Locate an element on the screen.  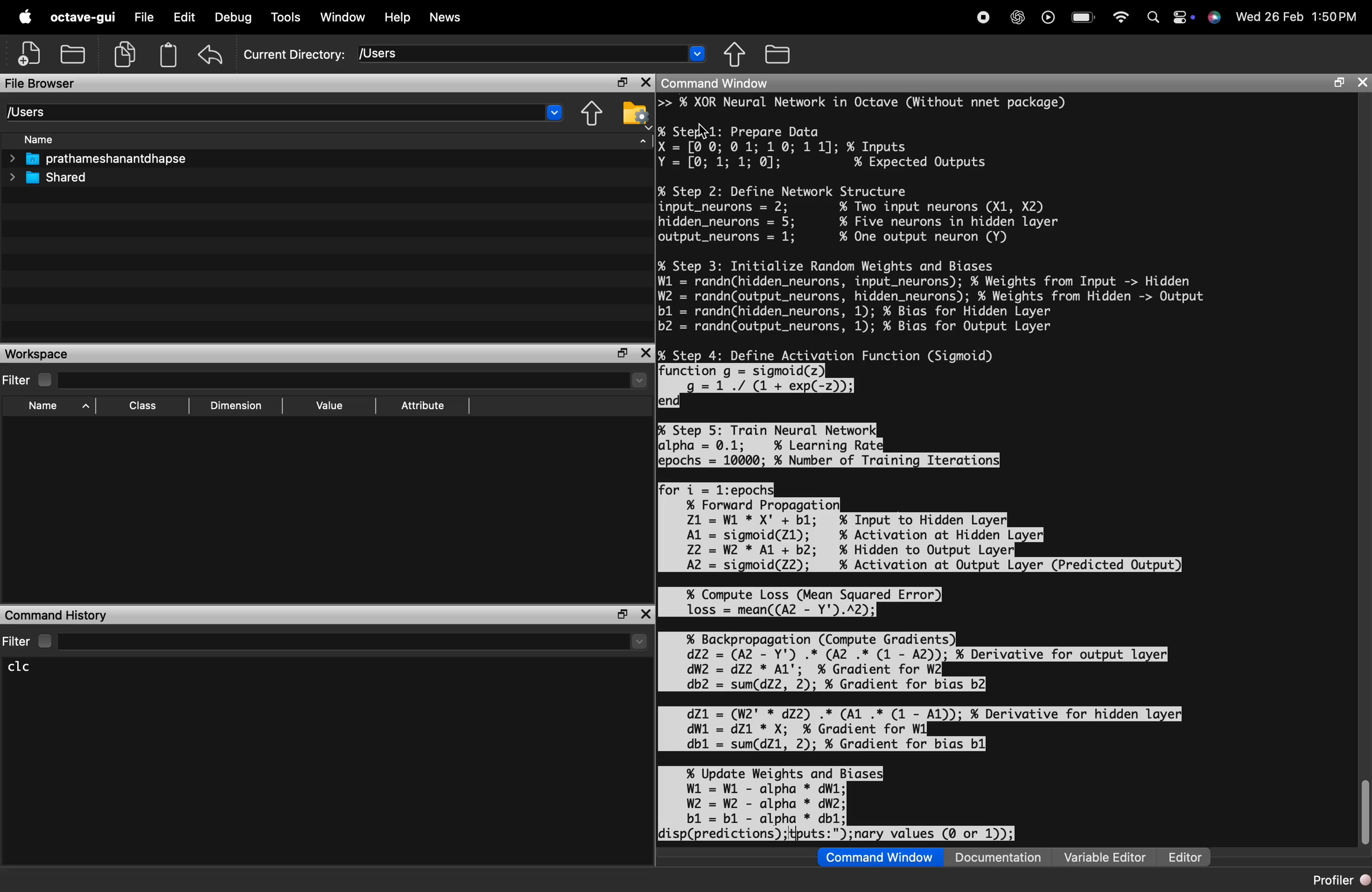
Wed 26 Feb is located at coordinates (1268, 17).